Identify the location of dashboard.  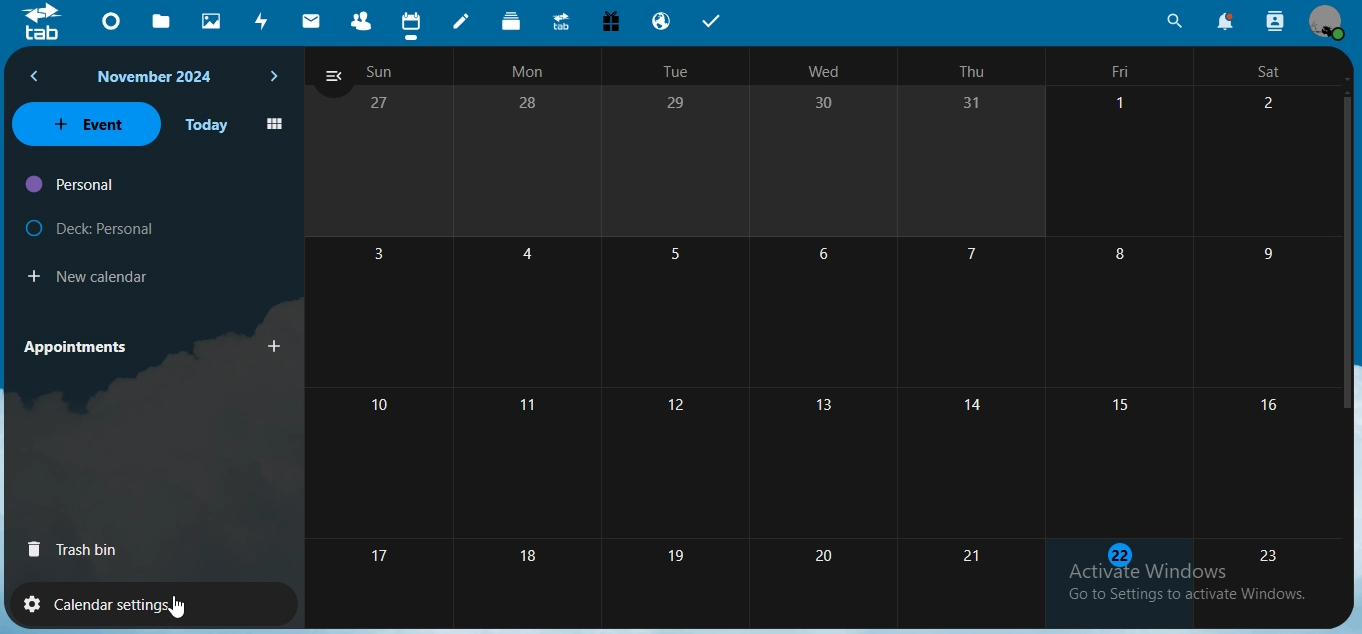
(115, 20).